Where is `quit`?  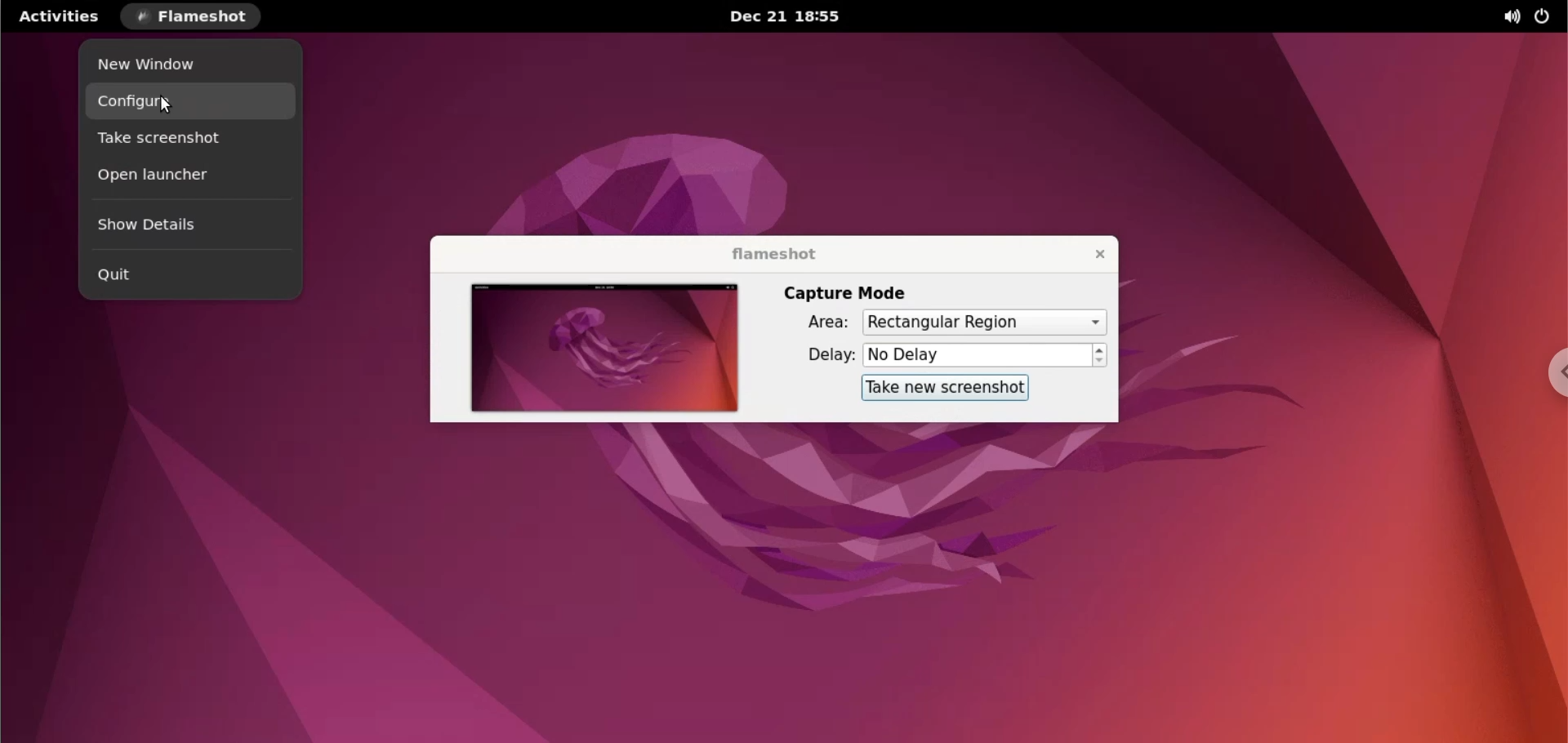
quit is located at coordinates (187, 273).